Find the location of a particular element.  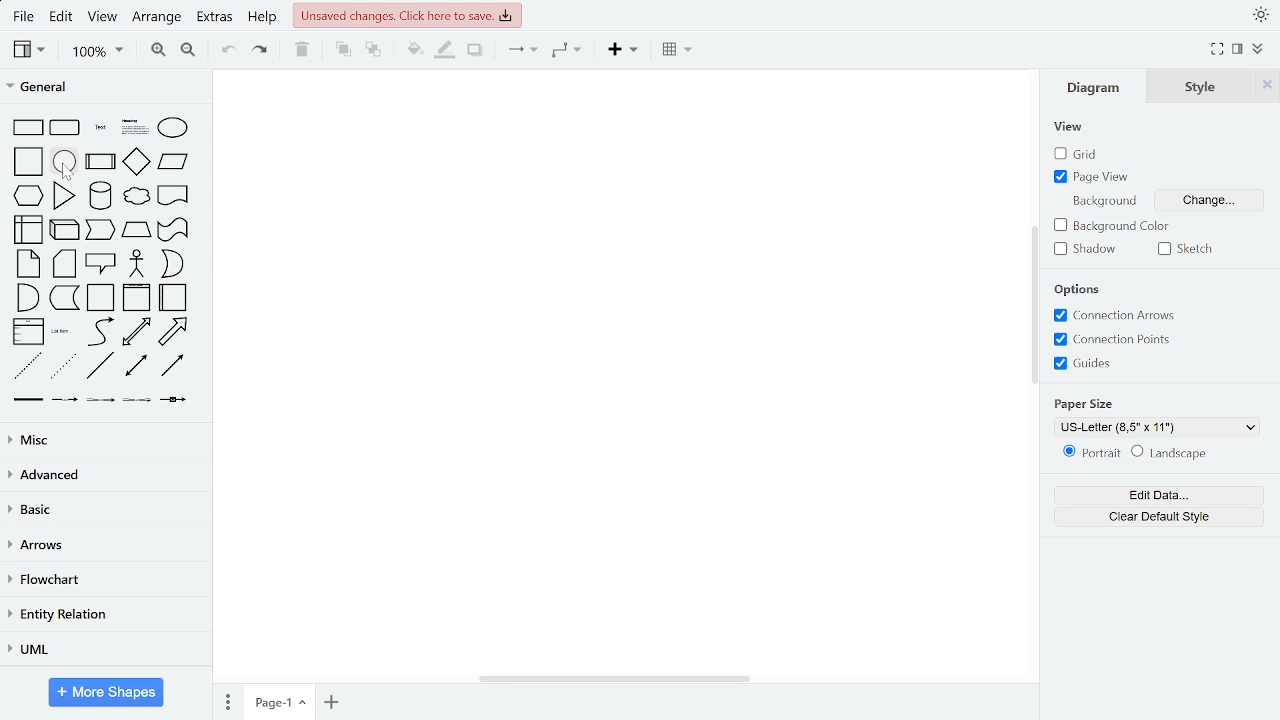

connector is located at coordinates (521, 50).